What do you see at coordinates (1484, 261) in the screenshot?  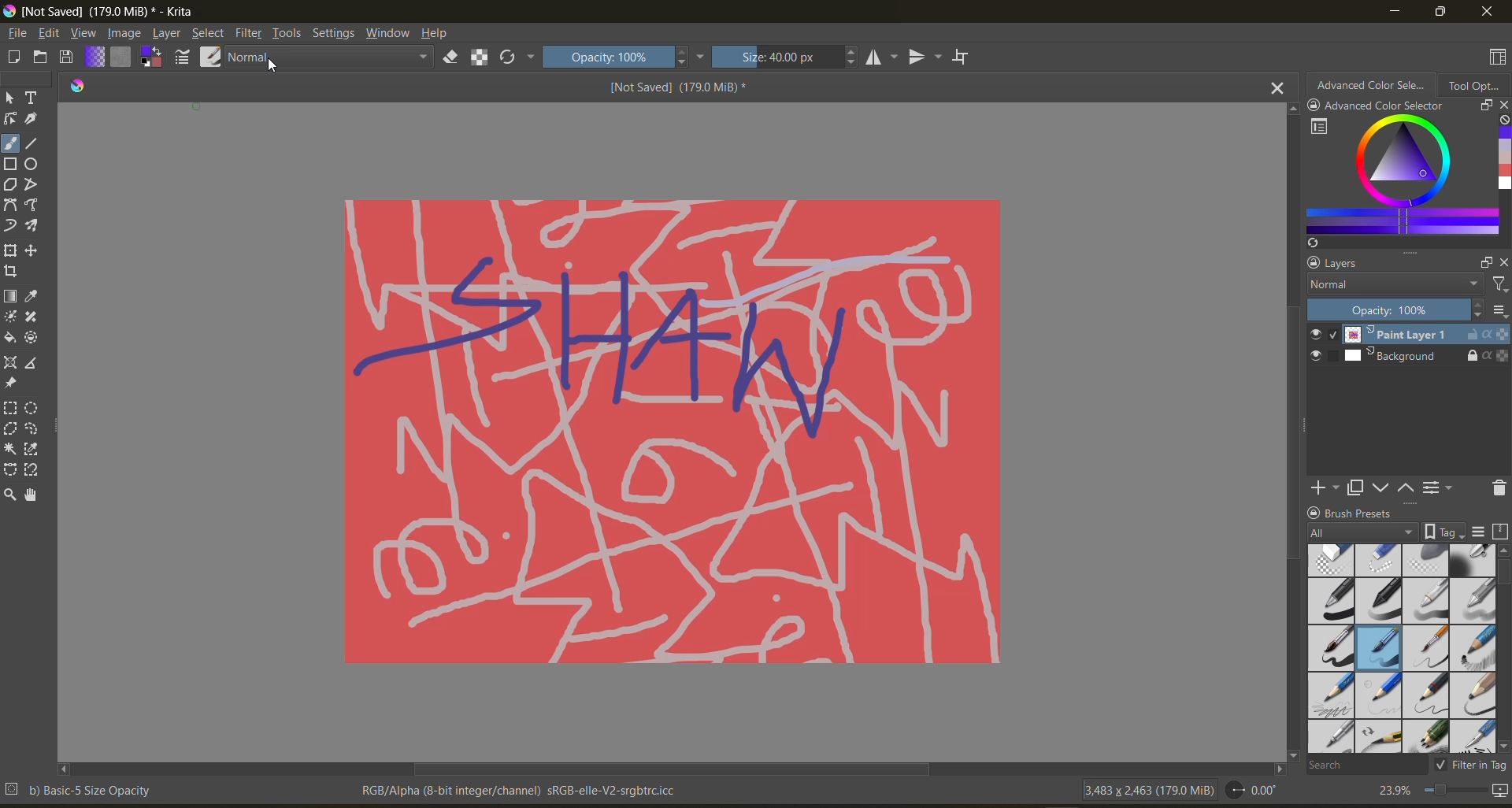 I see `float docker` at bounding box center [1484, 261].